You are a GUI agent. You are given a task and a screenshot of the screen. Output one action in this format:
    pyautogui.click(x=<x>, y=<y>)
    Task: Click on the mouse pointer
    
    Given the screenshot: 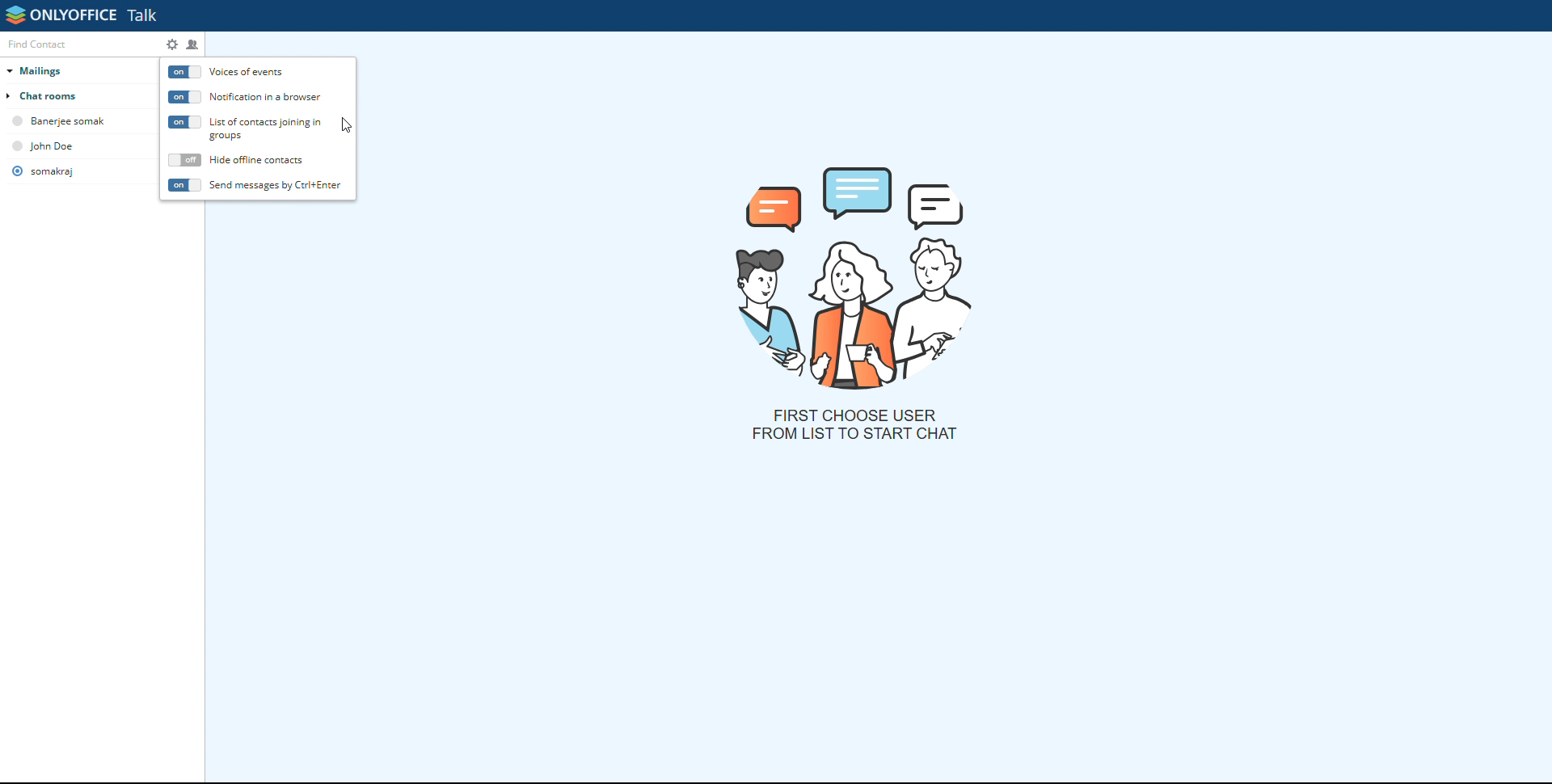 What is the action you would take?
    pyautogui.click(x=346, y=125)
    